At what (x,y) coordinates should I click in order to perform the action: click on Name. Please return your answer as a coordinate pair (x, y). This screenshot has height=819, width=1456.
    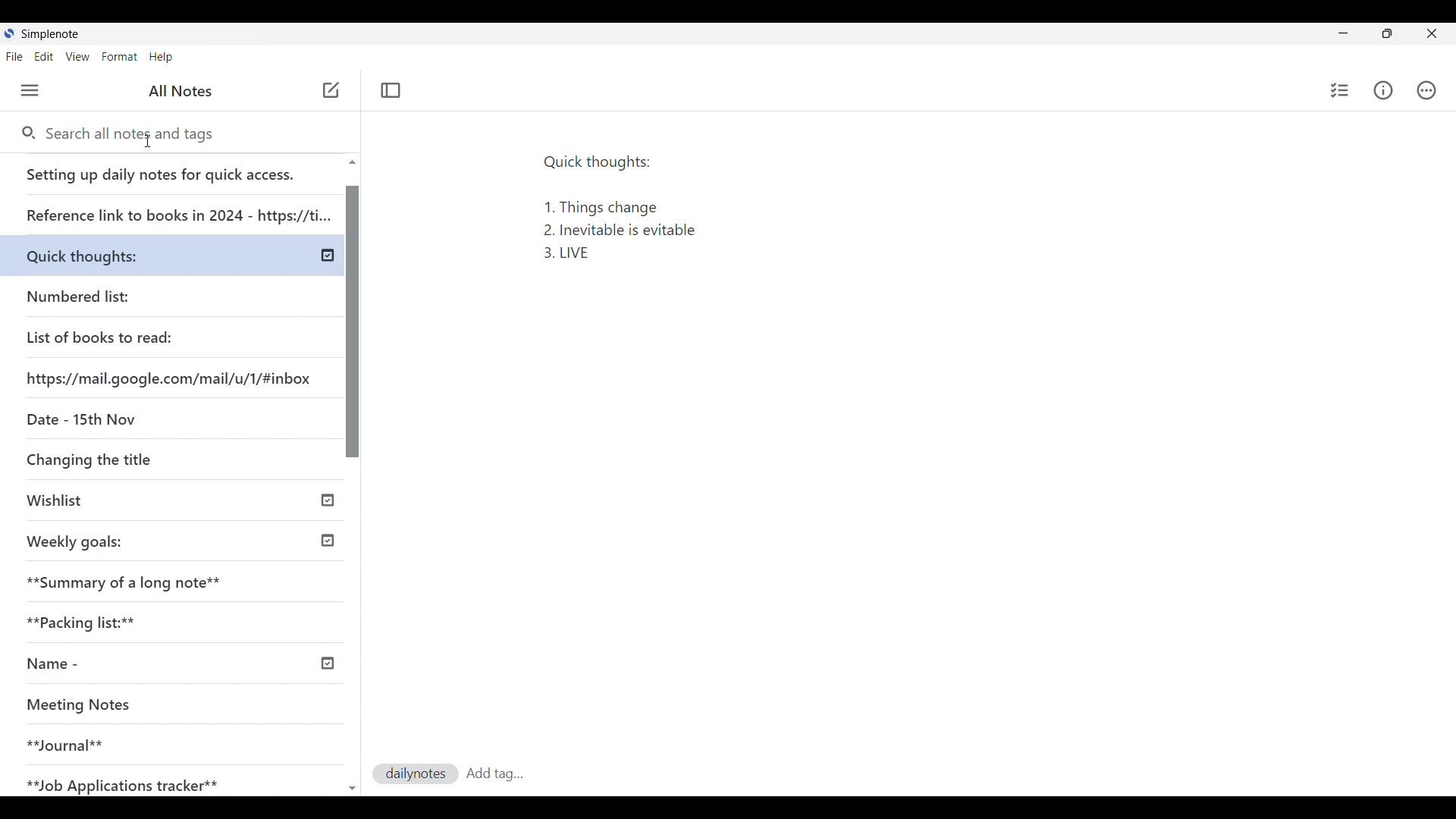
    Looking at the image, I should click on (108, 664).